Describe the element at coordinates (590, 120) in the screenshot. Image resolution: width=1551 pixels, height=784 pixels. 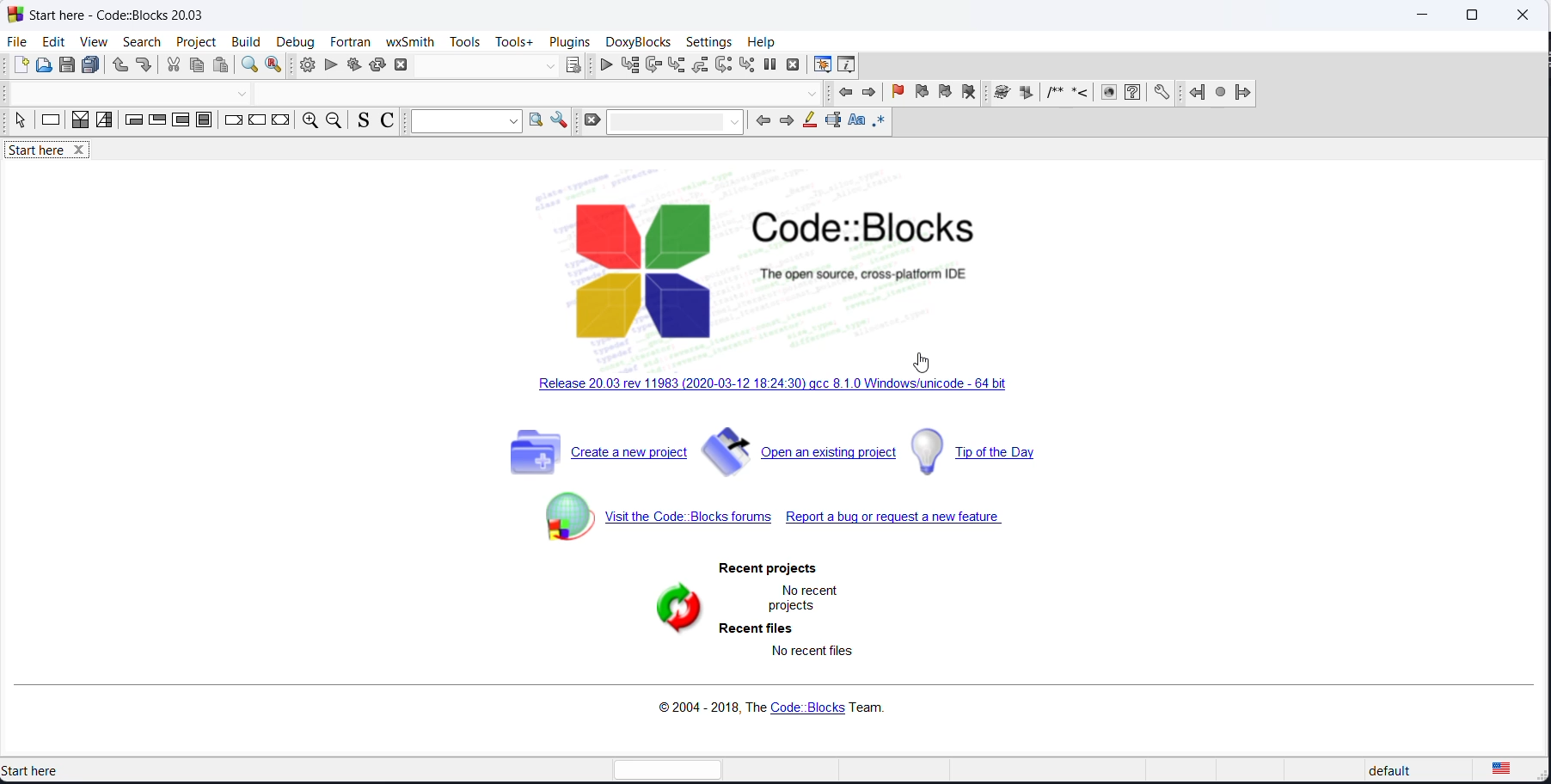
I see `clear` at that location.